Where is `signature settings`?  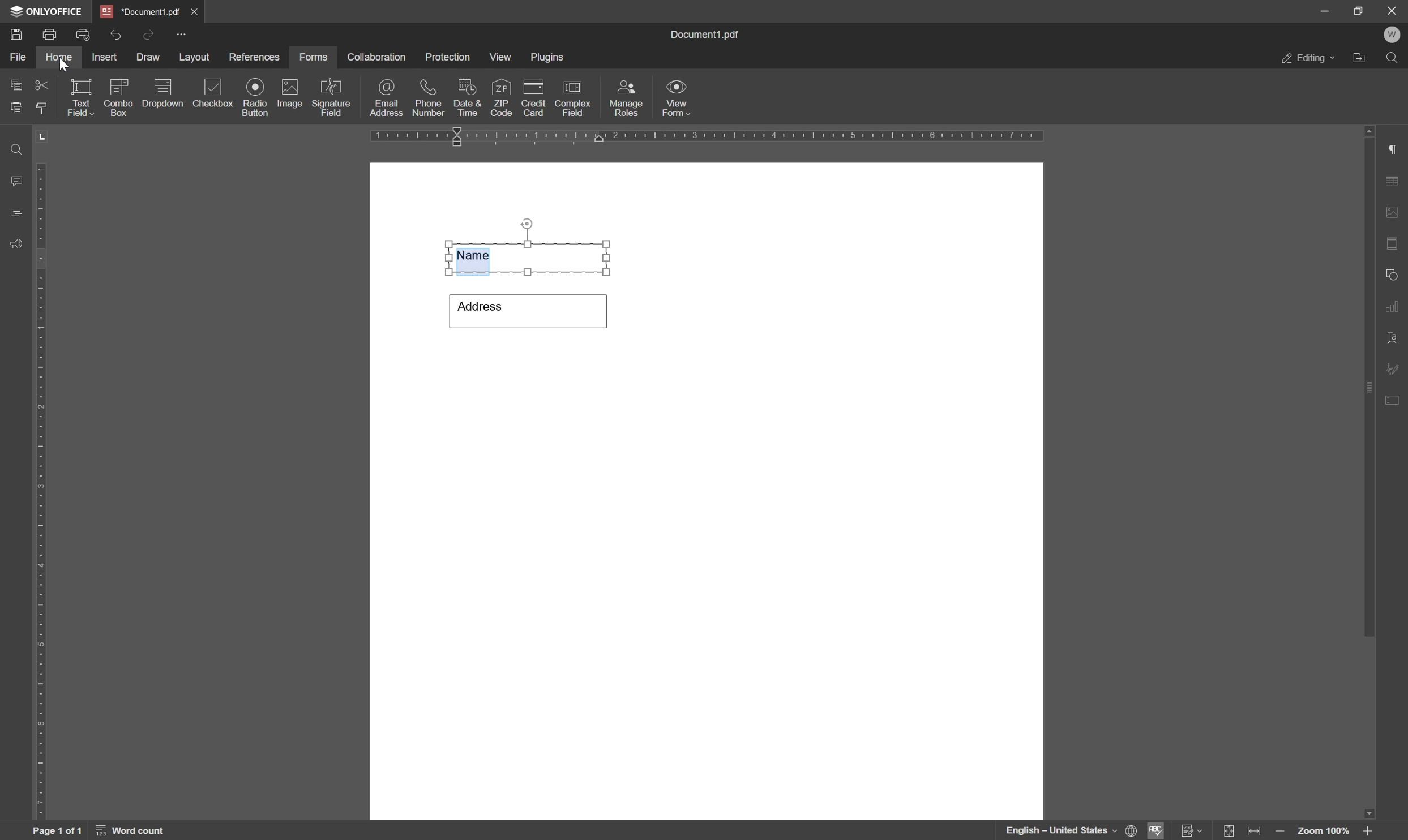 signature settings is located at coordinates (1396, 368).